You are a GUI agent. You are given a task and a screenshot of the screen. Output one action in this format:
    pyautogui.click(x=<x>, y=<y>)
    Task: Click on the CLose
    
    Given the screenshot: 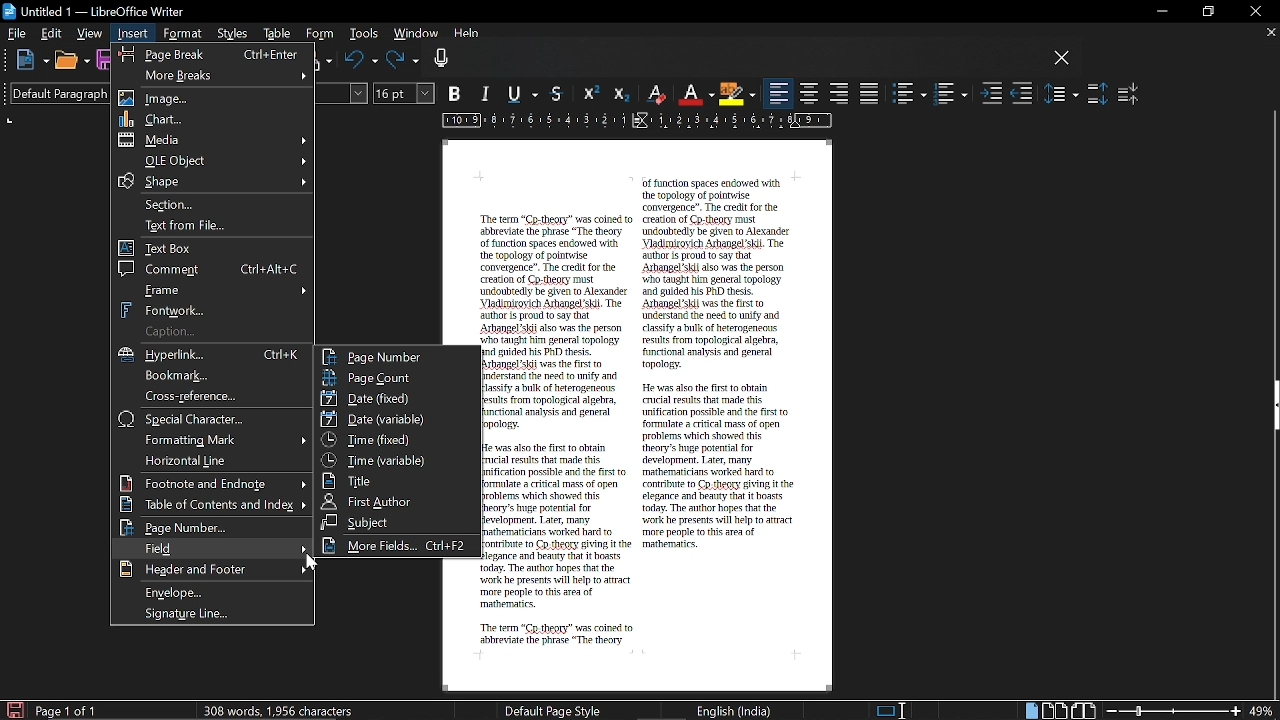 What is the action you would take?
    pyautogui.click(x=1062, y=59)
    